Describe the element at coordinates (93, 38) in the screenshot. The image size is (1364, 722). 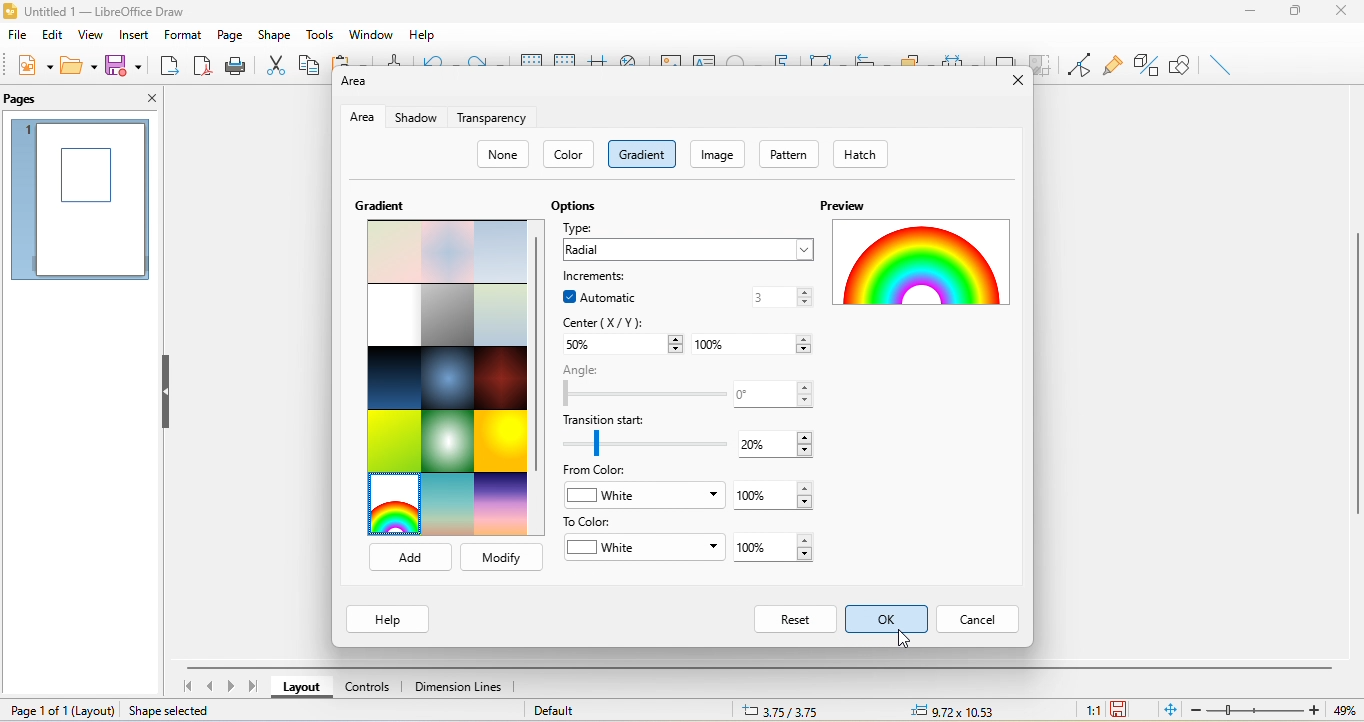
I see `view` at that location.